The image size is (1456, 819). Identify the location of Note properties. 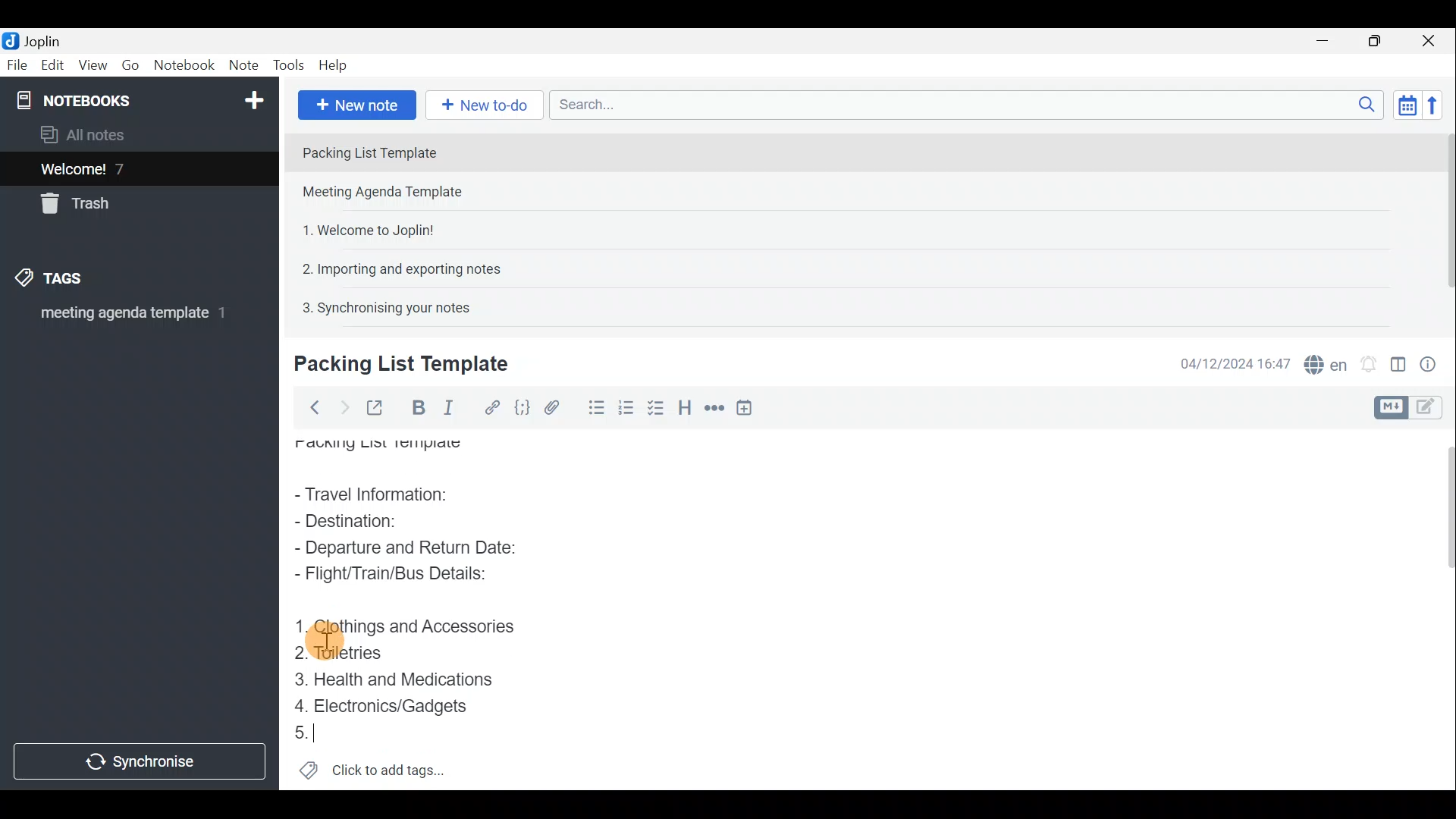
(1433, 362).